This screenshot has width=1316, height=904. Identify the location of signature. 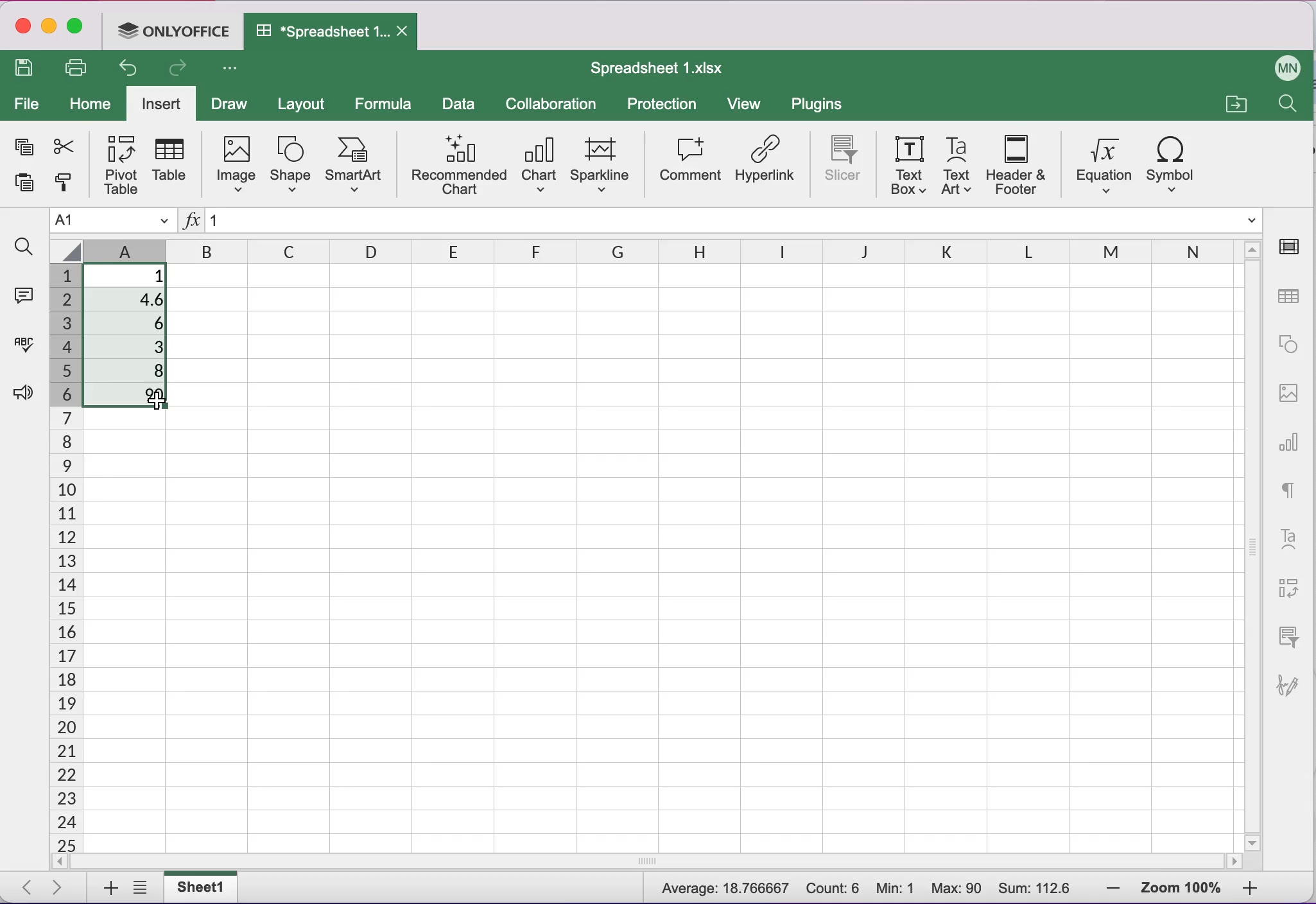
(1290, 688).